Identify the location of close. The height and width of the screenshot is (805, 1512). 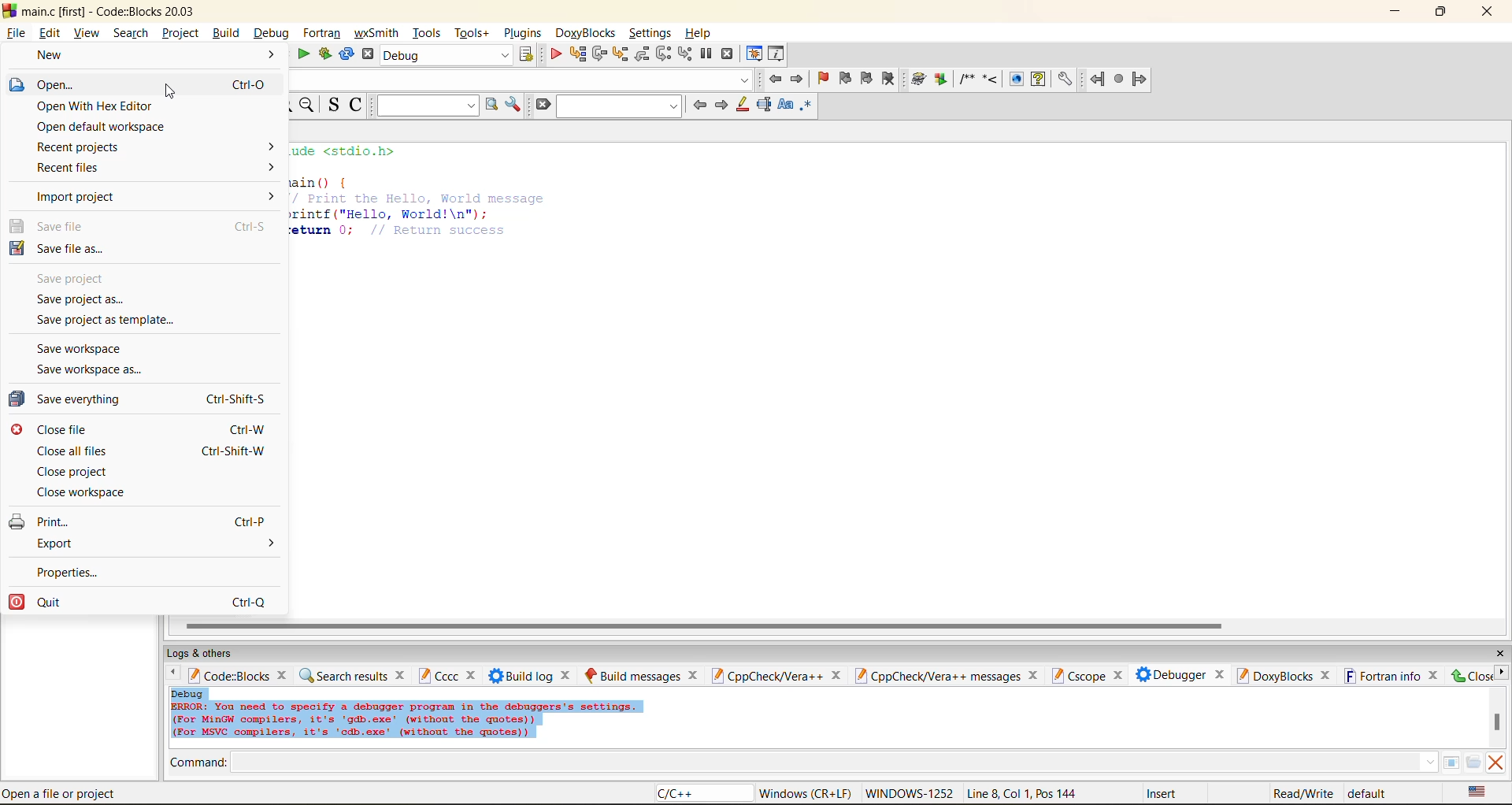
(284, 674).